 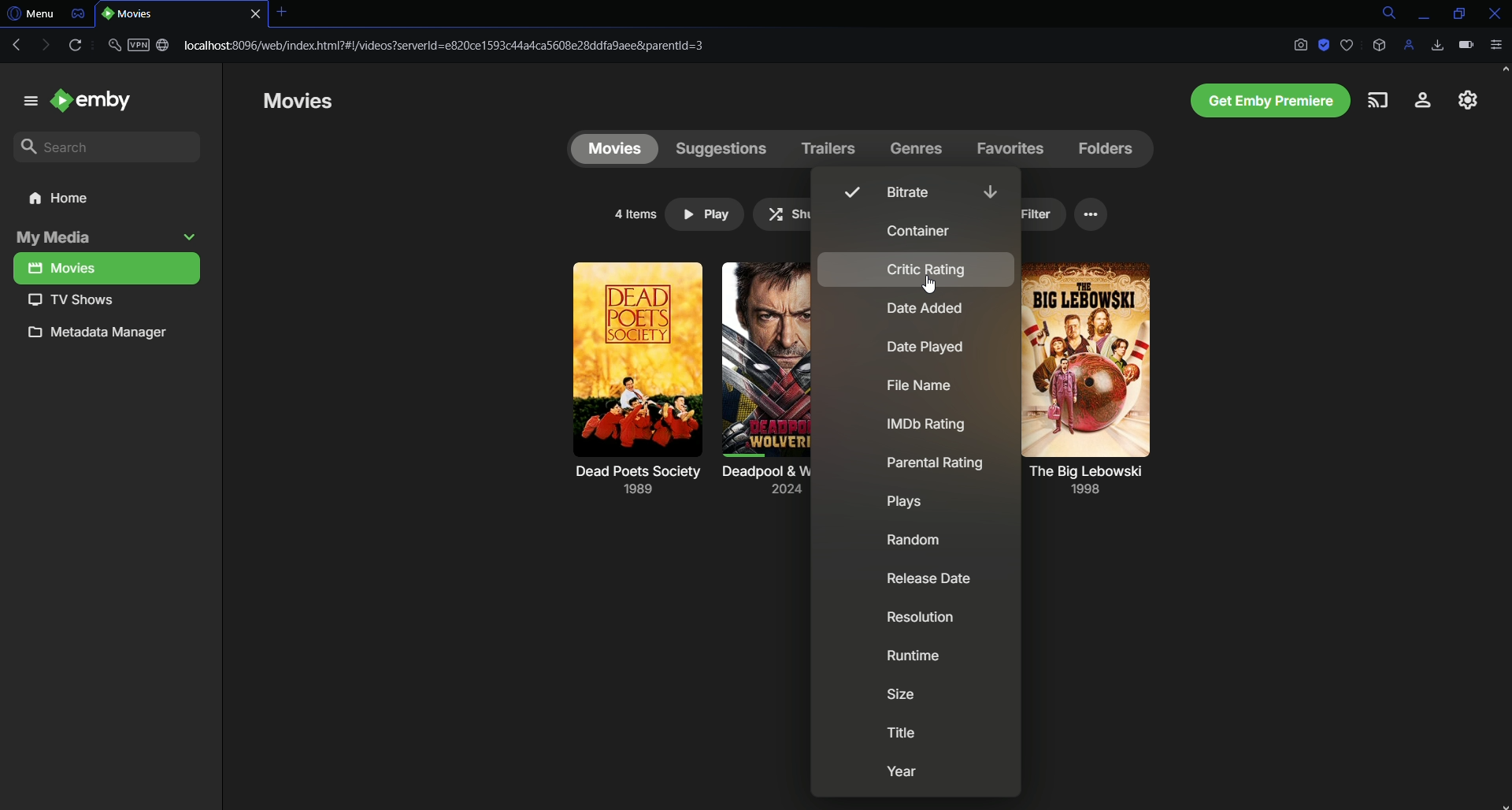 What do you see at coordinates (1299, 46) in the screenshot?
I see `Screenshot` at bounding box center [1299, 46].